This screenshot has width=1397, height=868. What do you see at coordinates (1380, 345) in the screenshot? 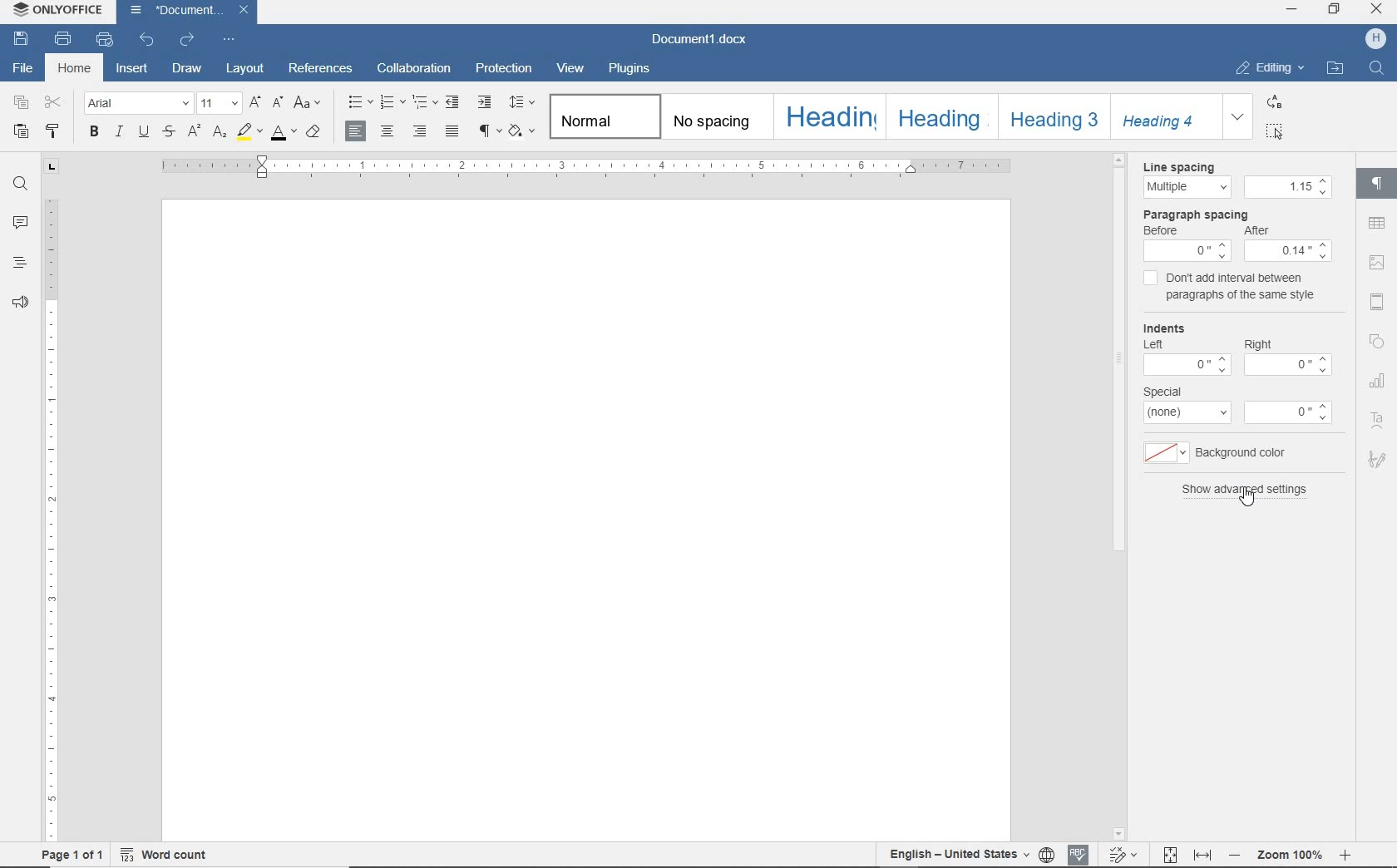
I see `Shapes` at bounding box center [1380, 345].